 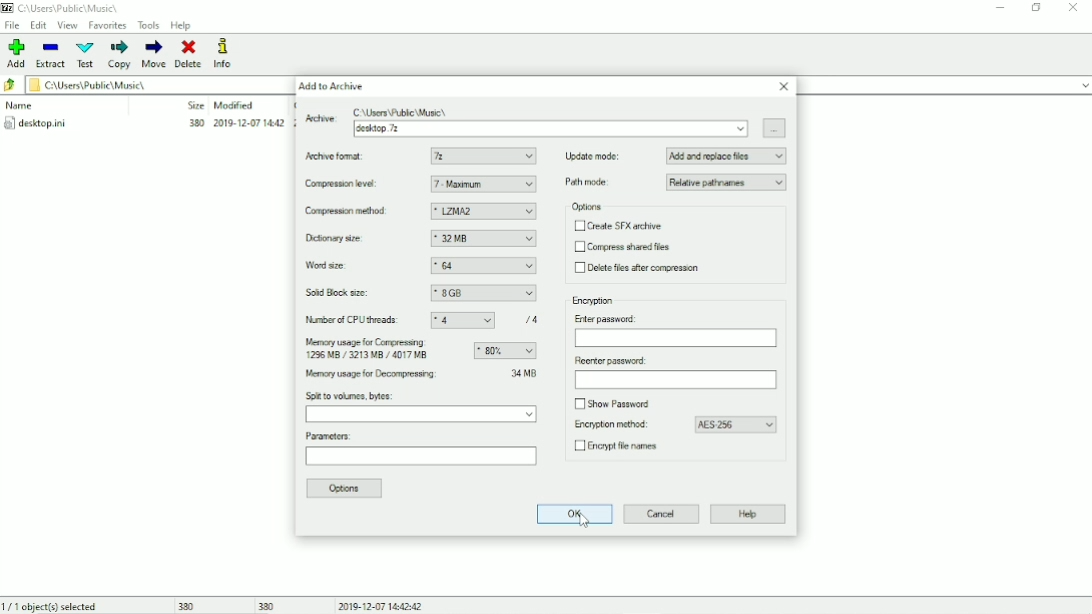 What do you see at coordinates (593, 156) in the screenshot?
I see `Update mode` at bounding box center [593, 156].